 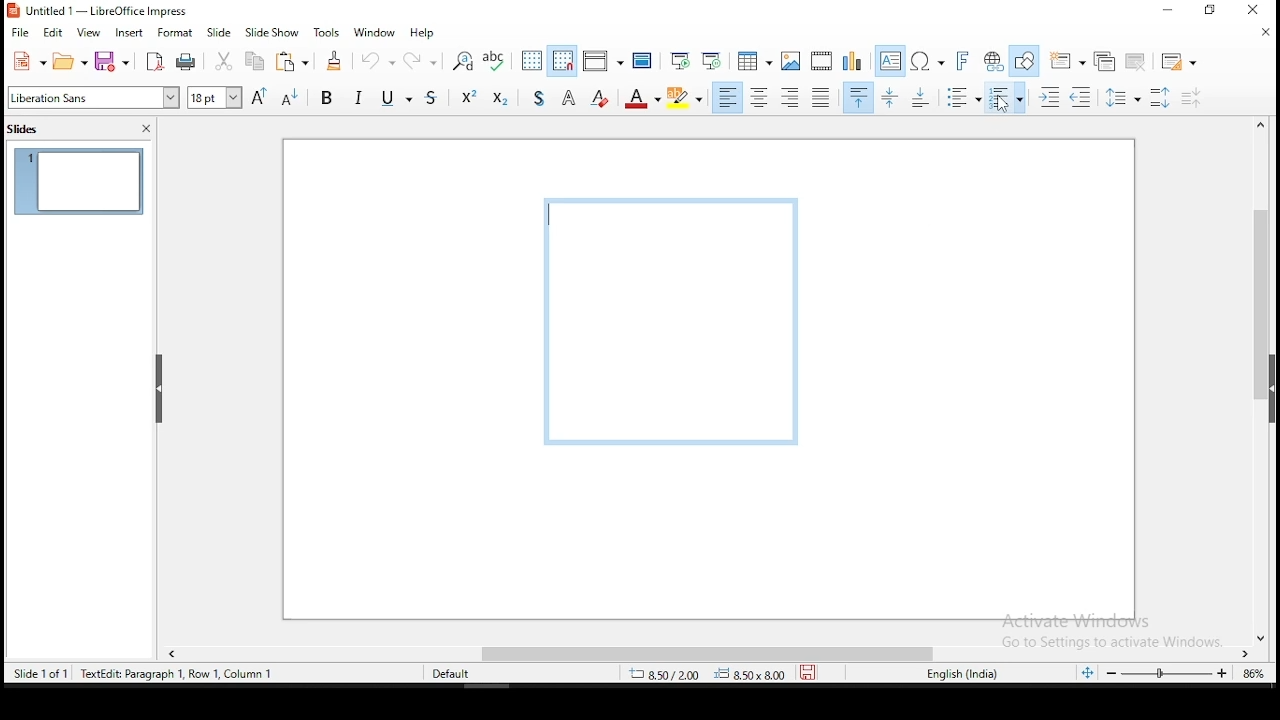 What do you see at coordinates (1166, 12) in the screenshot?
I see `minimize` at bounding box center [1166, 12].